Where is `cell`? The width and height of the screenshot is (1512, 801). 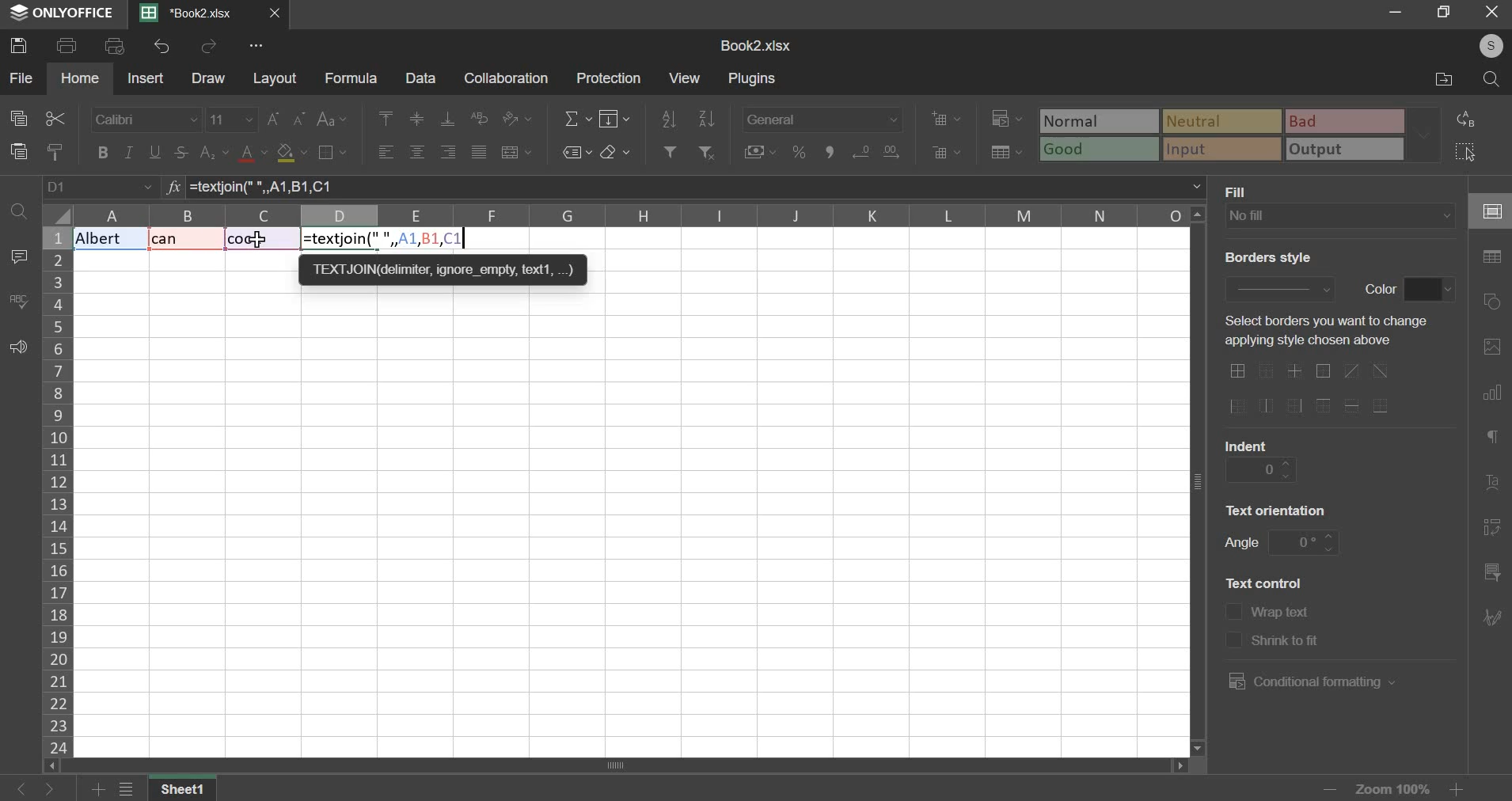 cell is located at coordinates (1490, 212).